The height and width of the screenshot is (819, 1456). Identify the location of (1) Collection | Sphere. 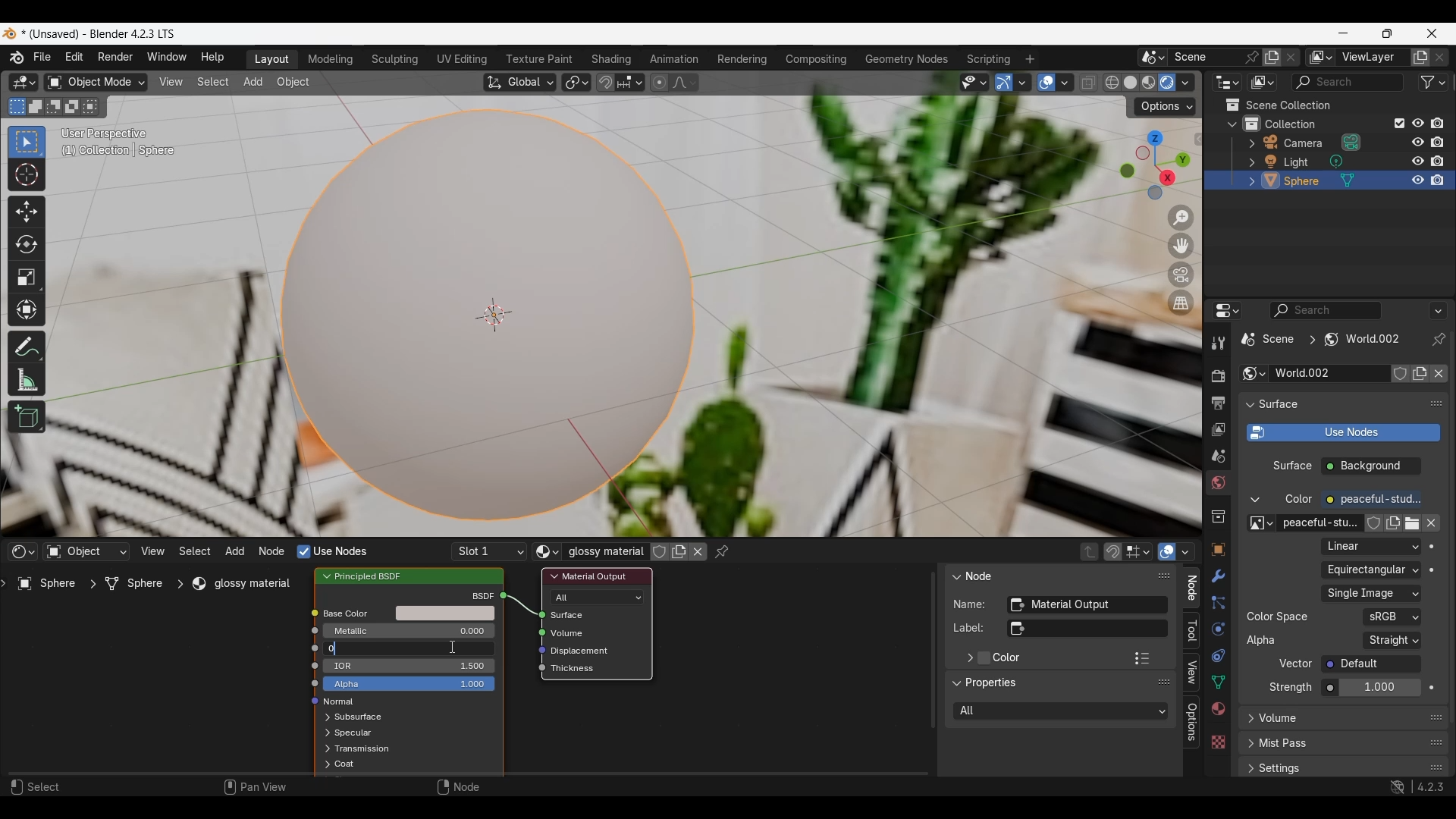
(122, 149).